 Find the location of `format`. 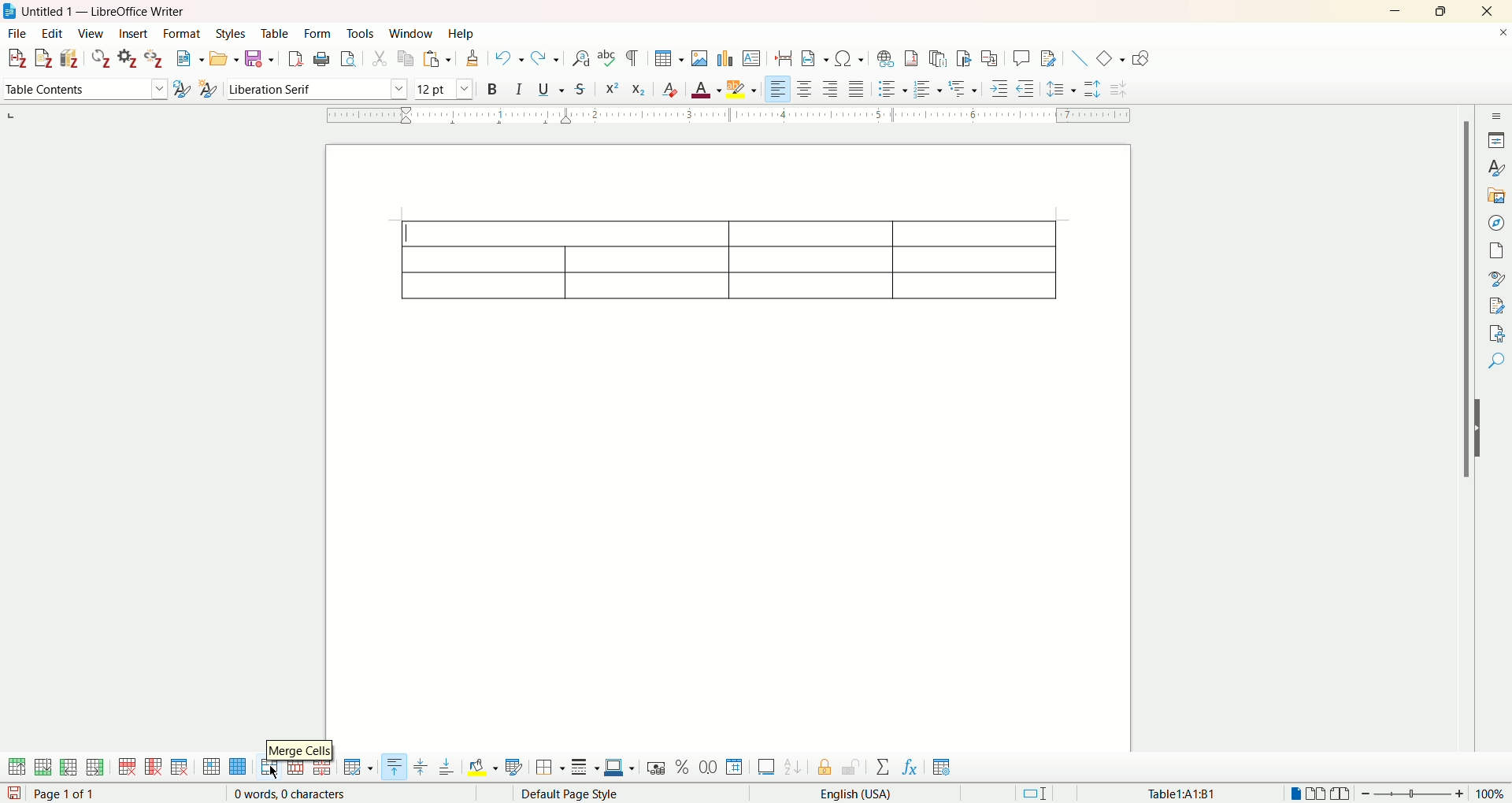

format is located at coordinates (181, 35).